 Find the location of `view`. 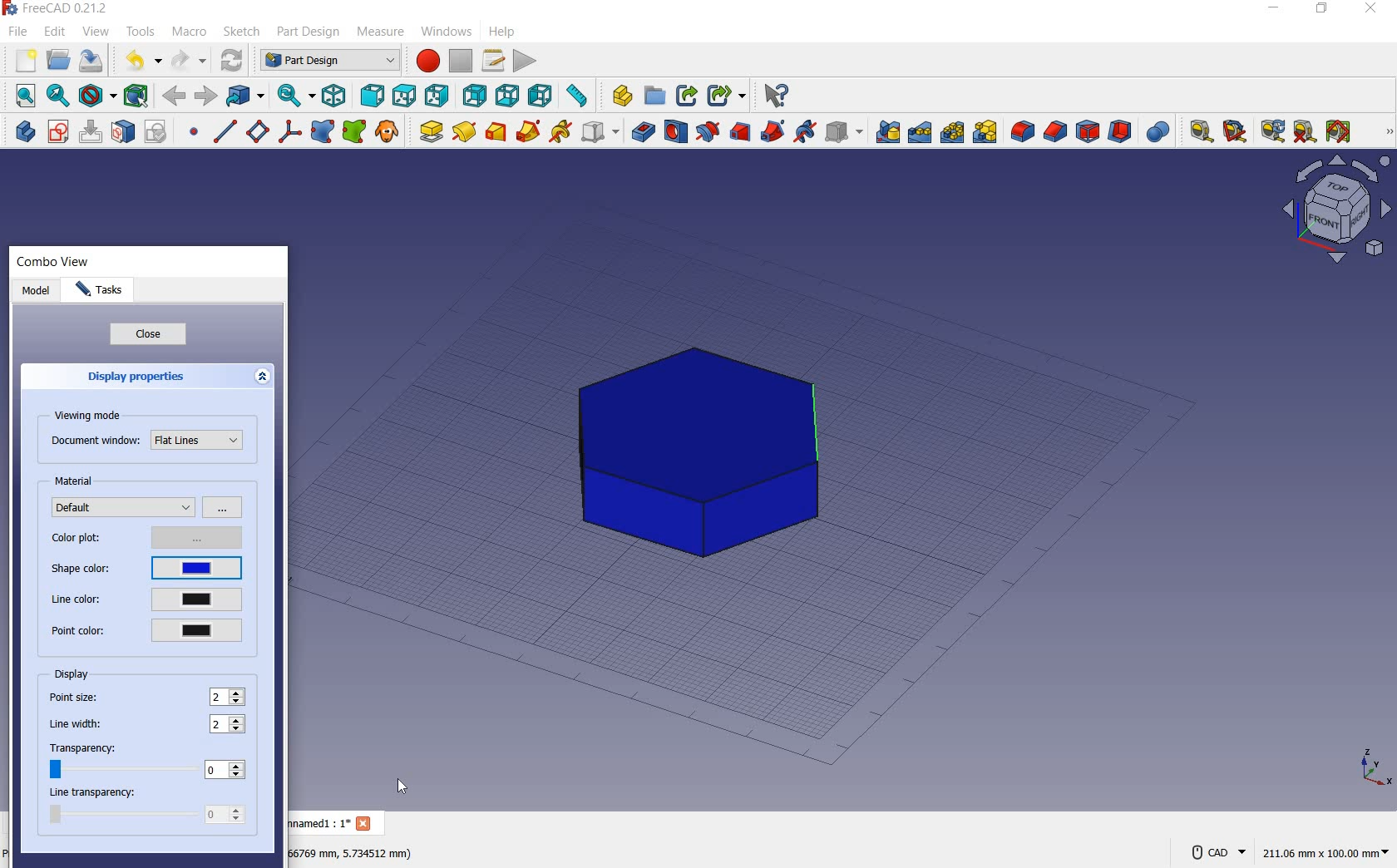

view is located at coordinates (97, 29).